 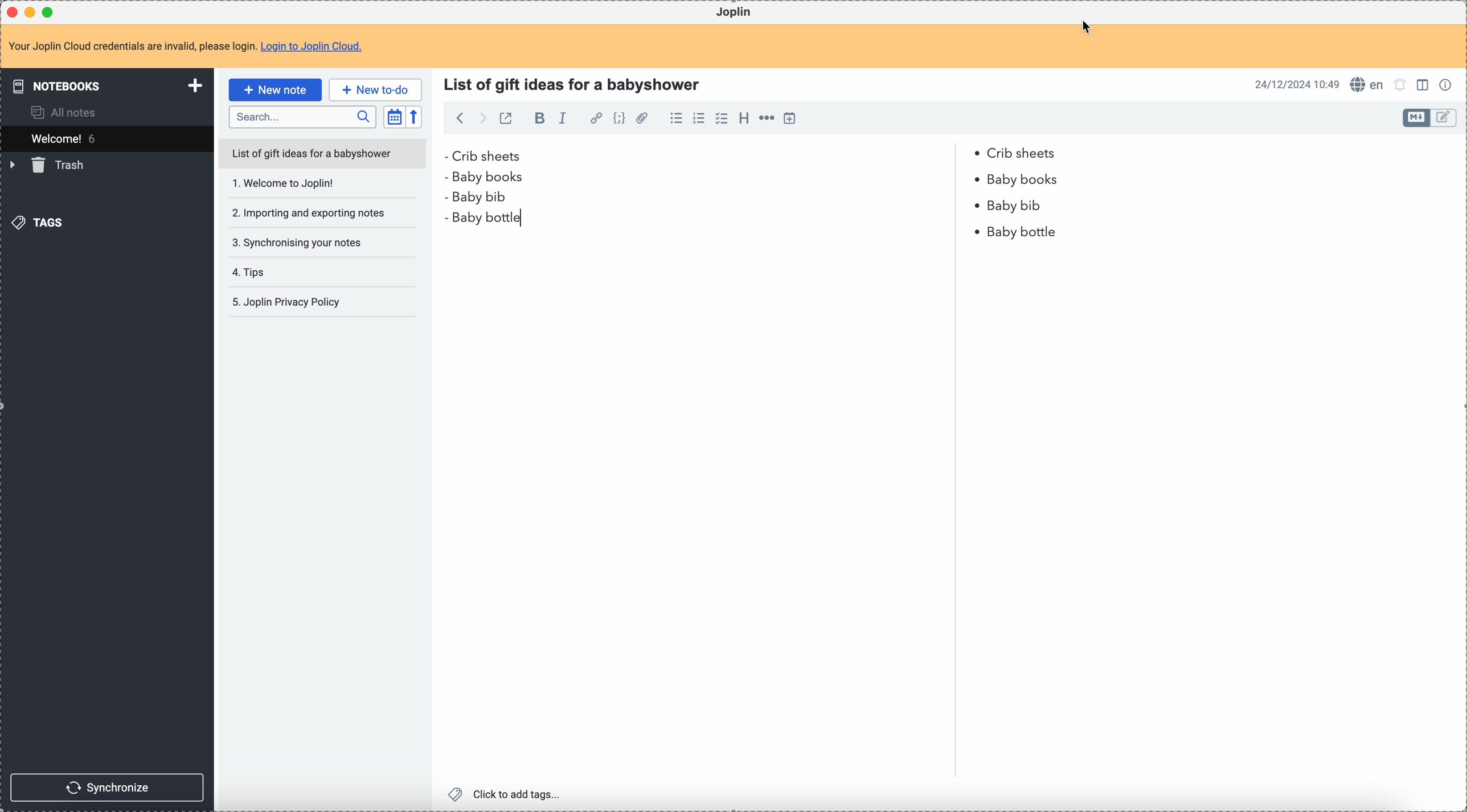 I want to click on trash, so click(x=50, y=166).